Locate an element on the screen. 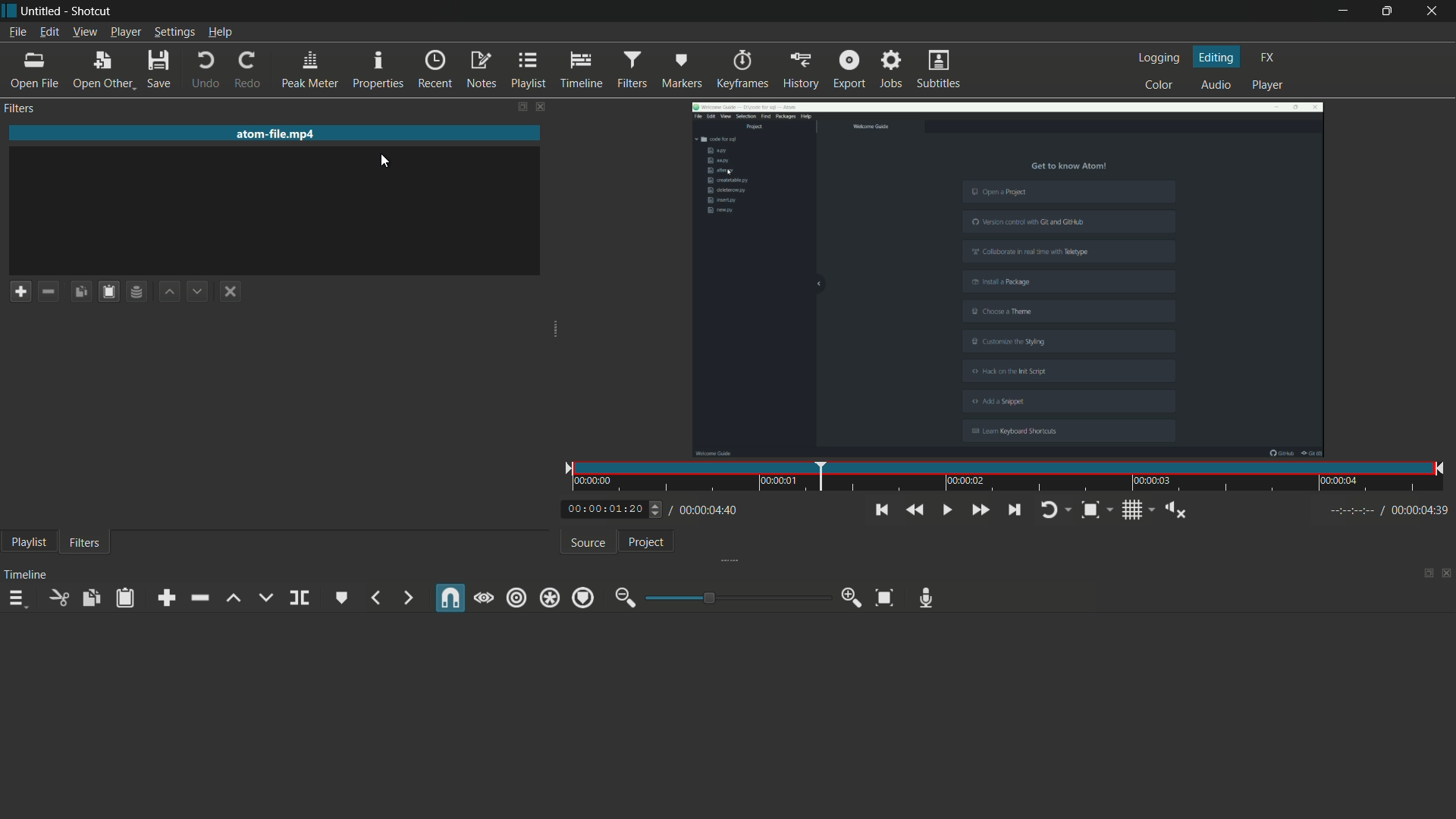 This screenshot has width=1456, height=819. close timeline is located at coordinates (1447, 575).